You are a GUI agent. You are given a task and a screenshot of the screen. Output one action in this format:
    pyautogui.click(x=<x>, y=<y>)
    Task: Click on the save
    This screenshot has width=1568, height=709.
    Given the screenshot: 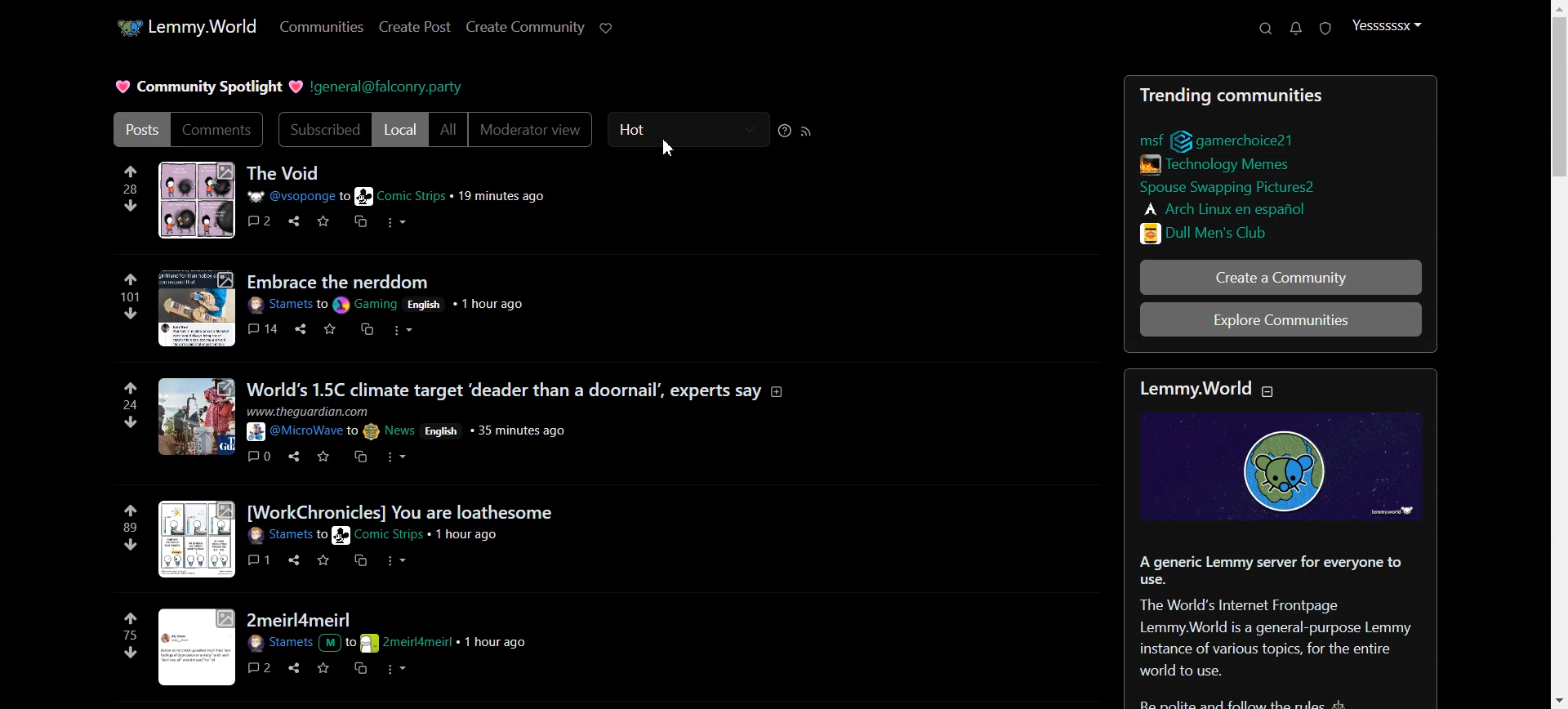 What is the action you would take?
    pyautogui.click(x=320, y=667)
    